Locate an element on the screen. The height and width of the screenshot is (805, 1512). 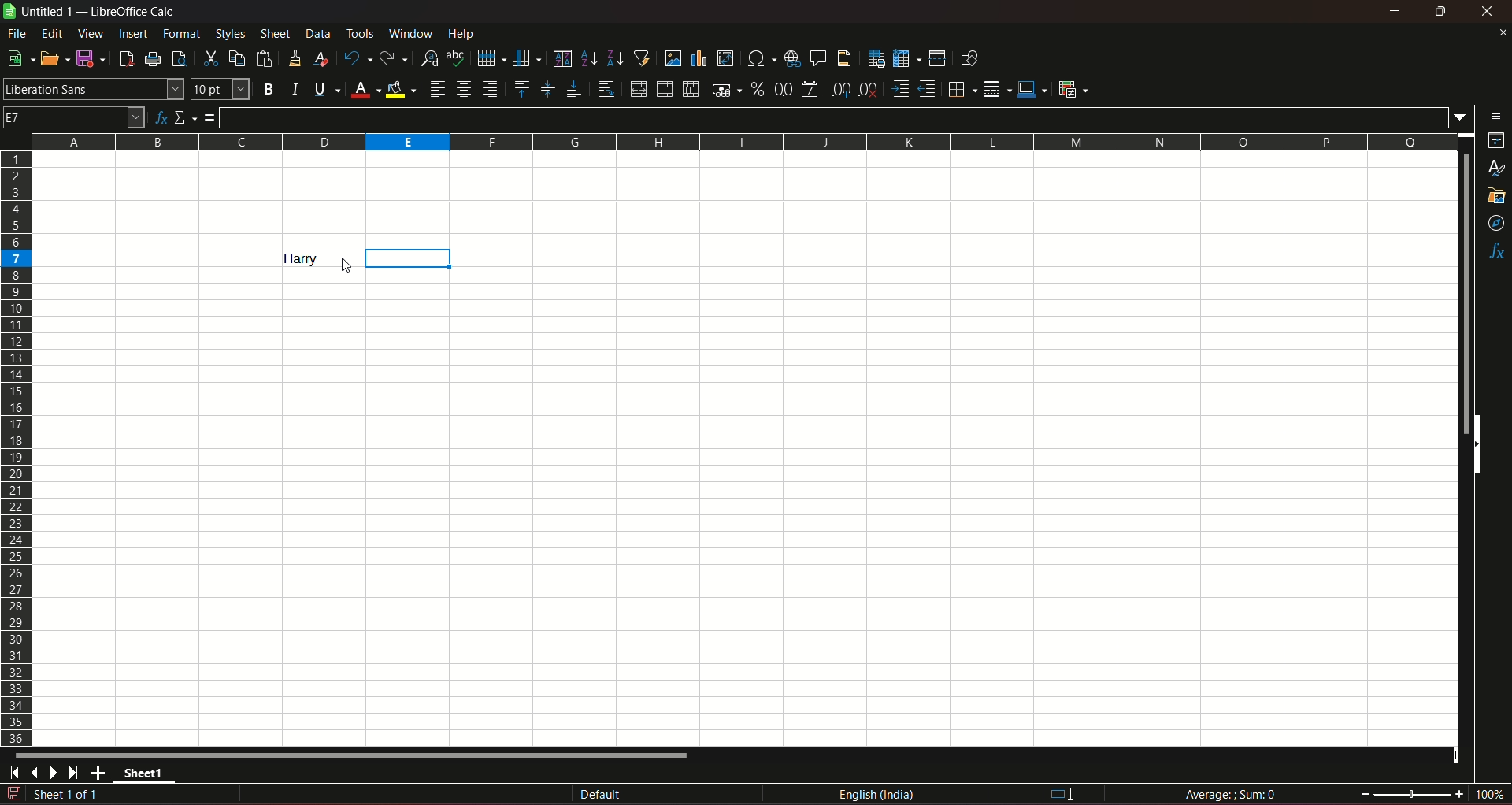
copy is located at coordinates (237, 58).